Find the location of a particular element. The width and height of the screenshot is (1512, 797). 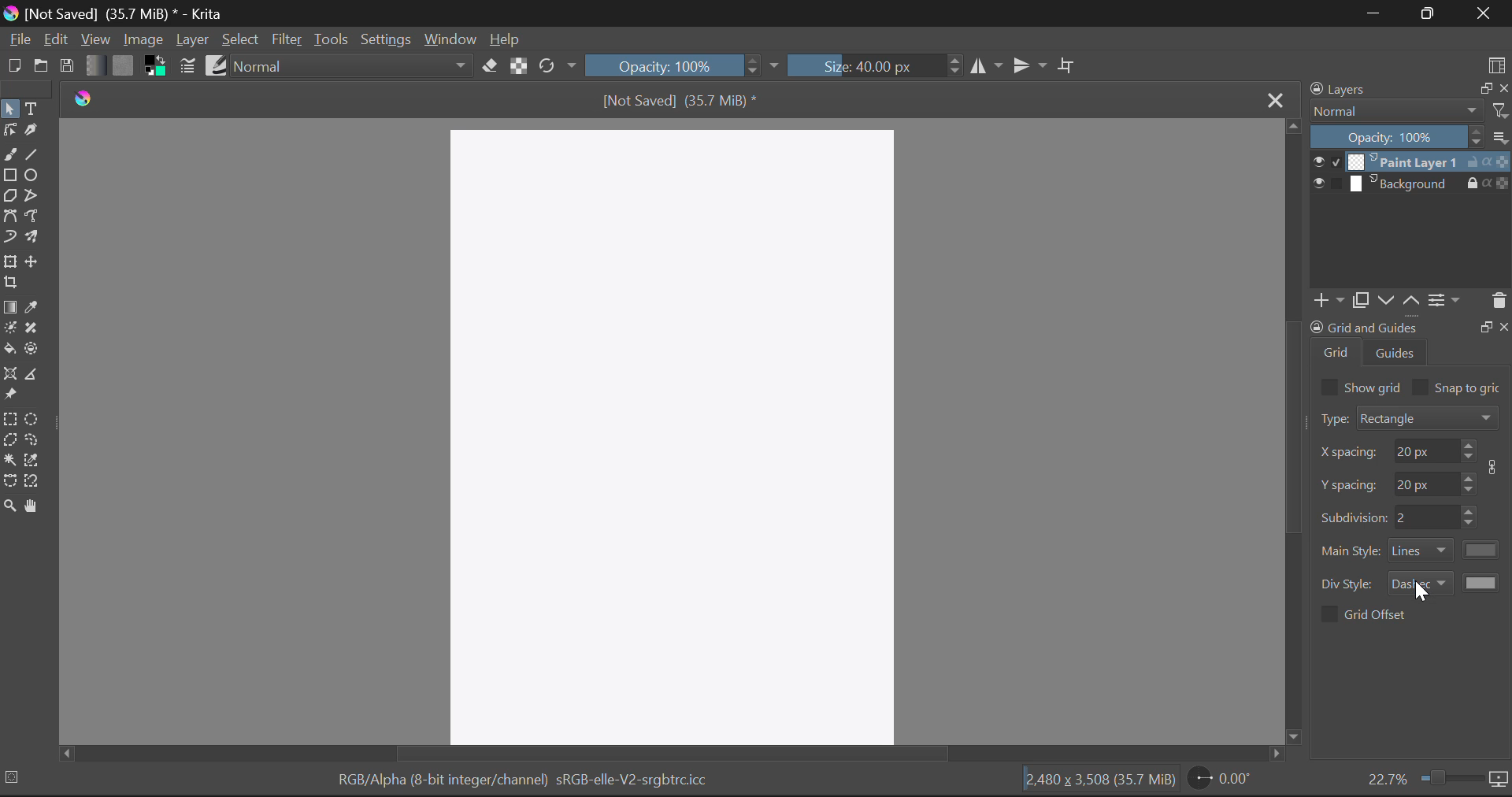

Reference Image is located at coordinates (10, 395).